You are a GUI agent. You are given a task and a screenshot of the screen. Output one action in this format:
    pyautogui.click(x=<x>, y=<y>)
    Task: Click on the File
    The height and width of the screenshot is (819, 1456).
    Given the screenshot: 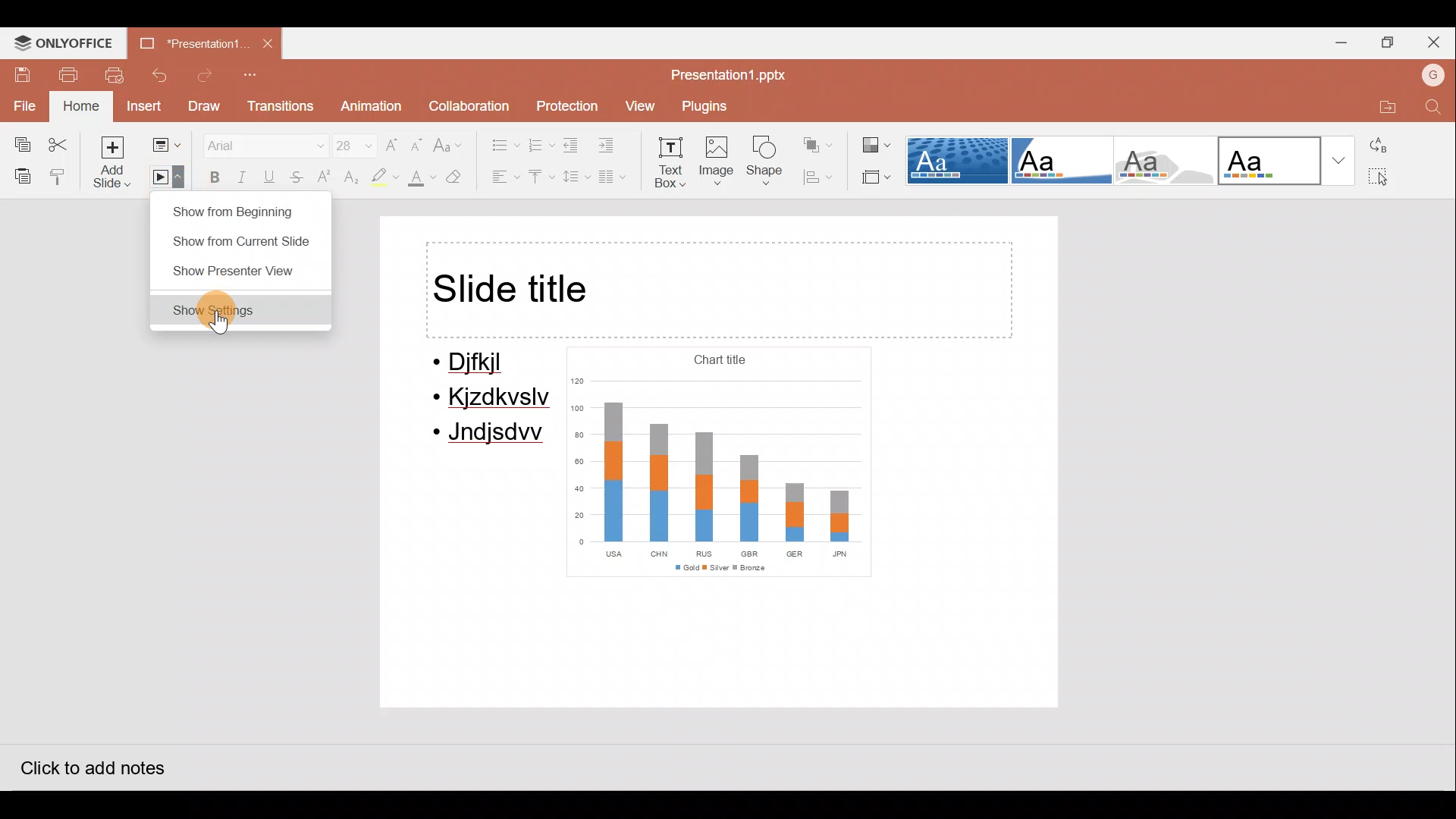 What is the action you would take?
    pyautogui.click(x=21, y=109)
    